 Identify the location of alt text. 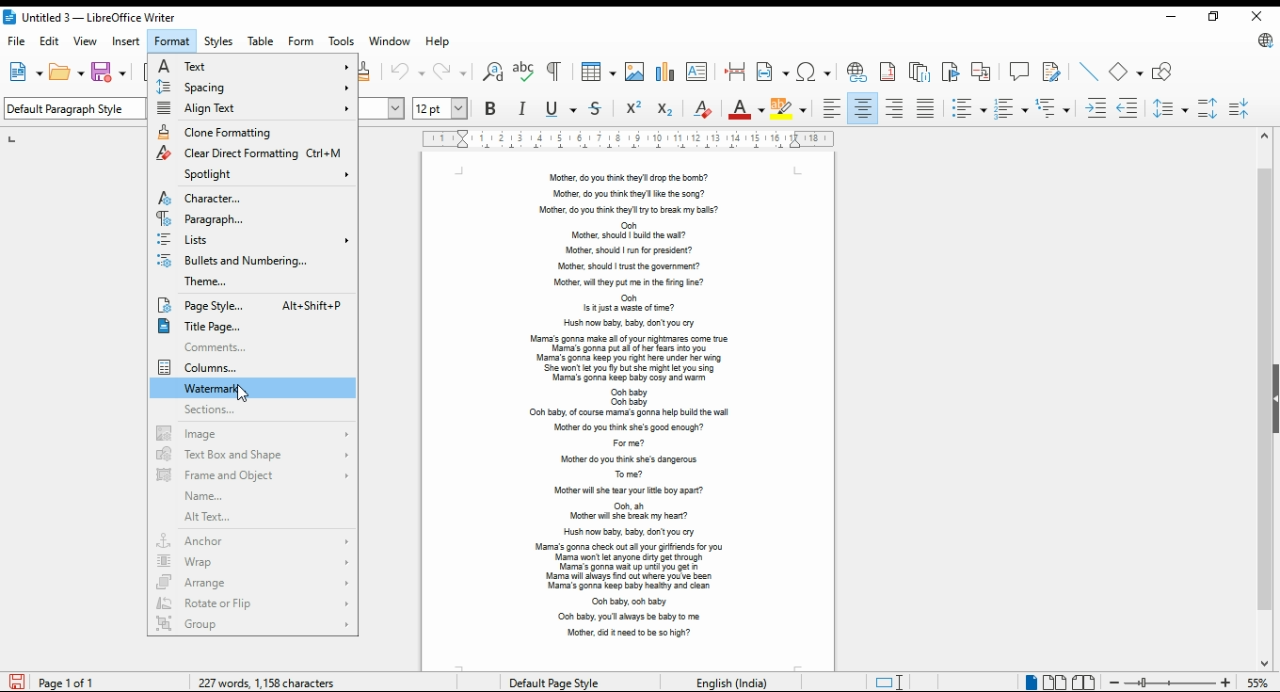
(257, 516).